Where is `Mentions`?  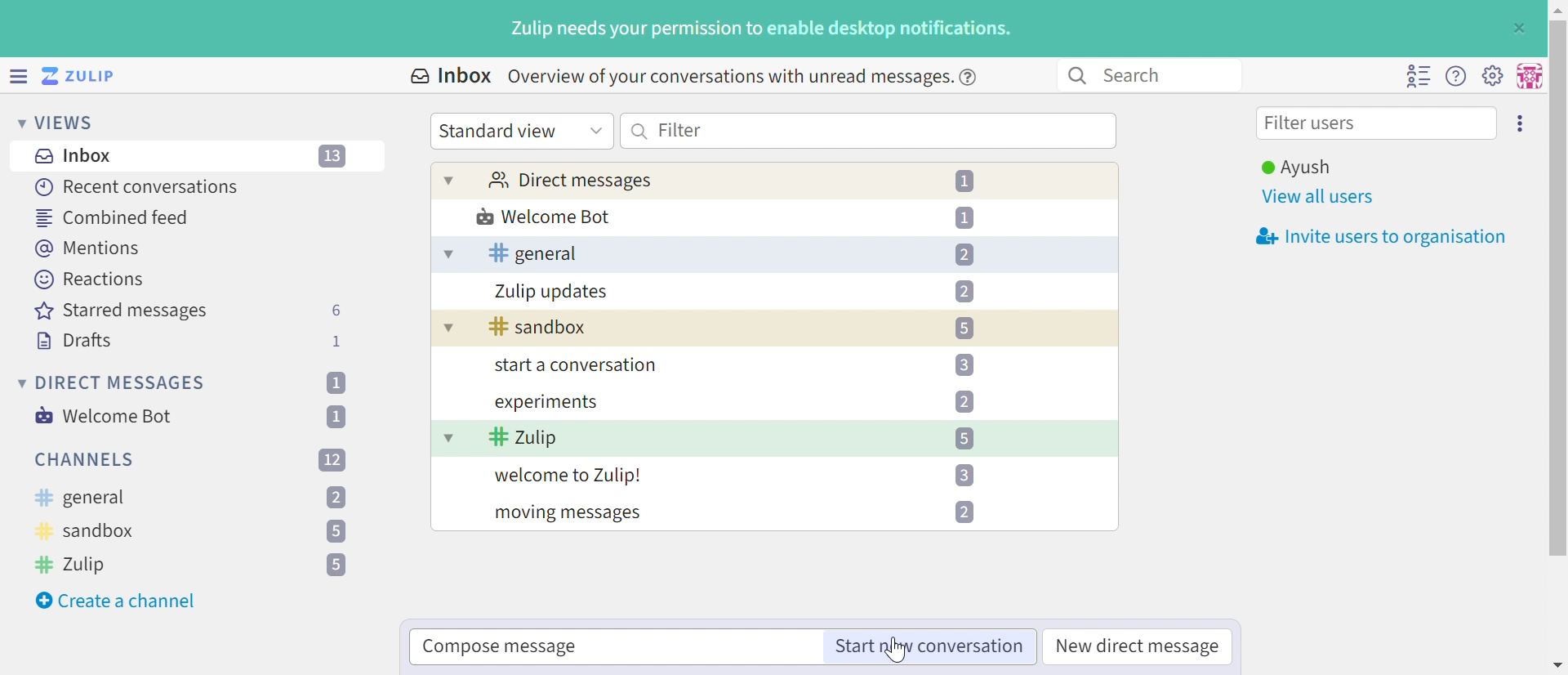
Mentions is located at coordinates (91, 248).